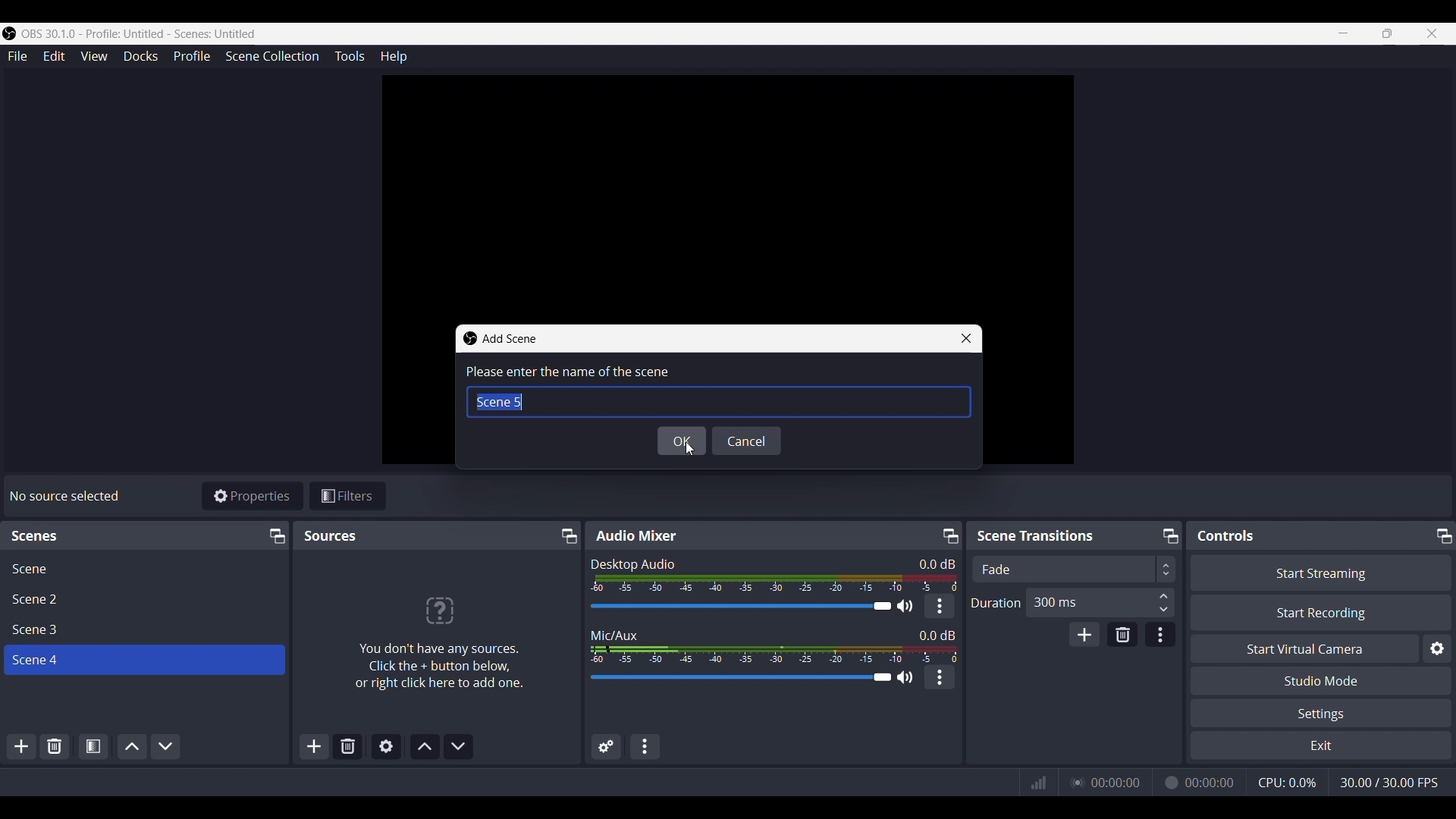 The image size is (1456, 819). I want to click on Move scene down, so click(166, 745).